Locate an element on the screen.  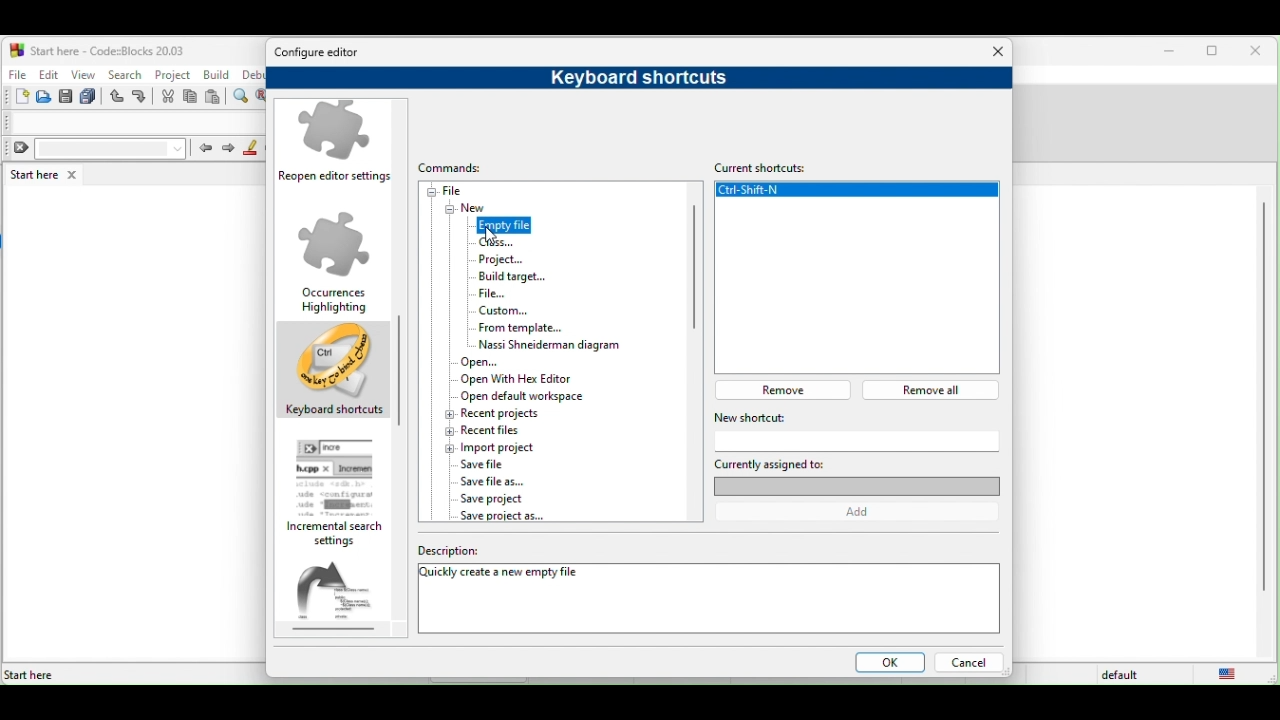
custom is located at coordinates (522, 311).